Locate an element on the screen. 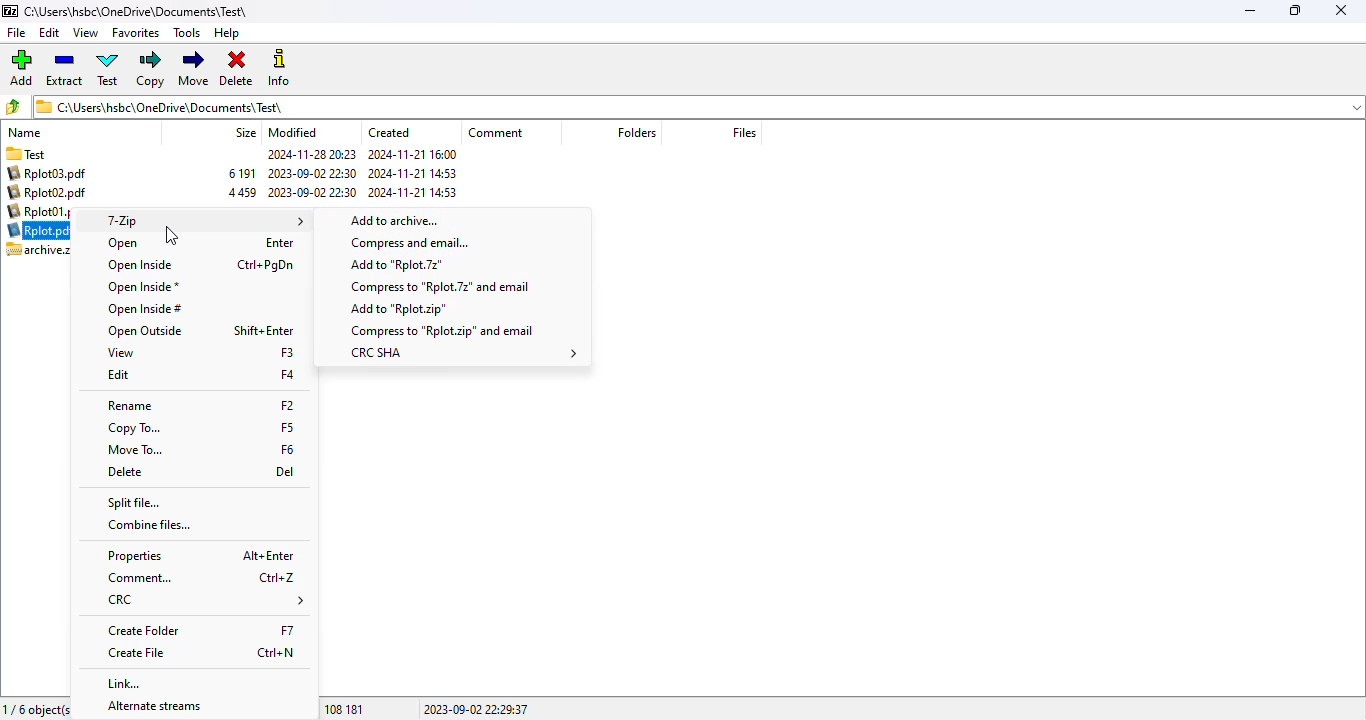 The height and width of the screenshot is (720, 1366). 1/6 object(s) selected is located at coordinates (36, 708).